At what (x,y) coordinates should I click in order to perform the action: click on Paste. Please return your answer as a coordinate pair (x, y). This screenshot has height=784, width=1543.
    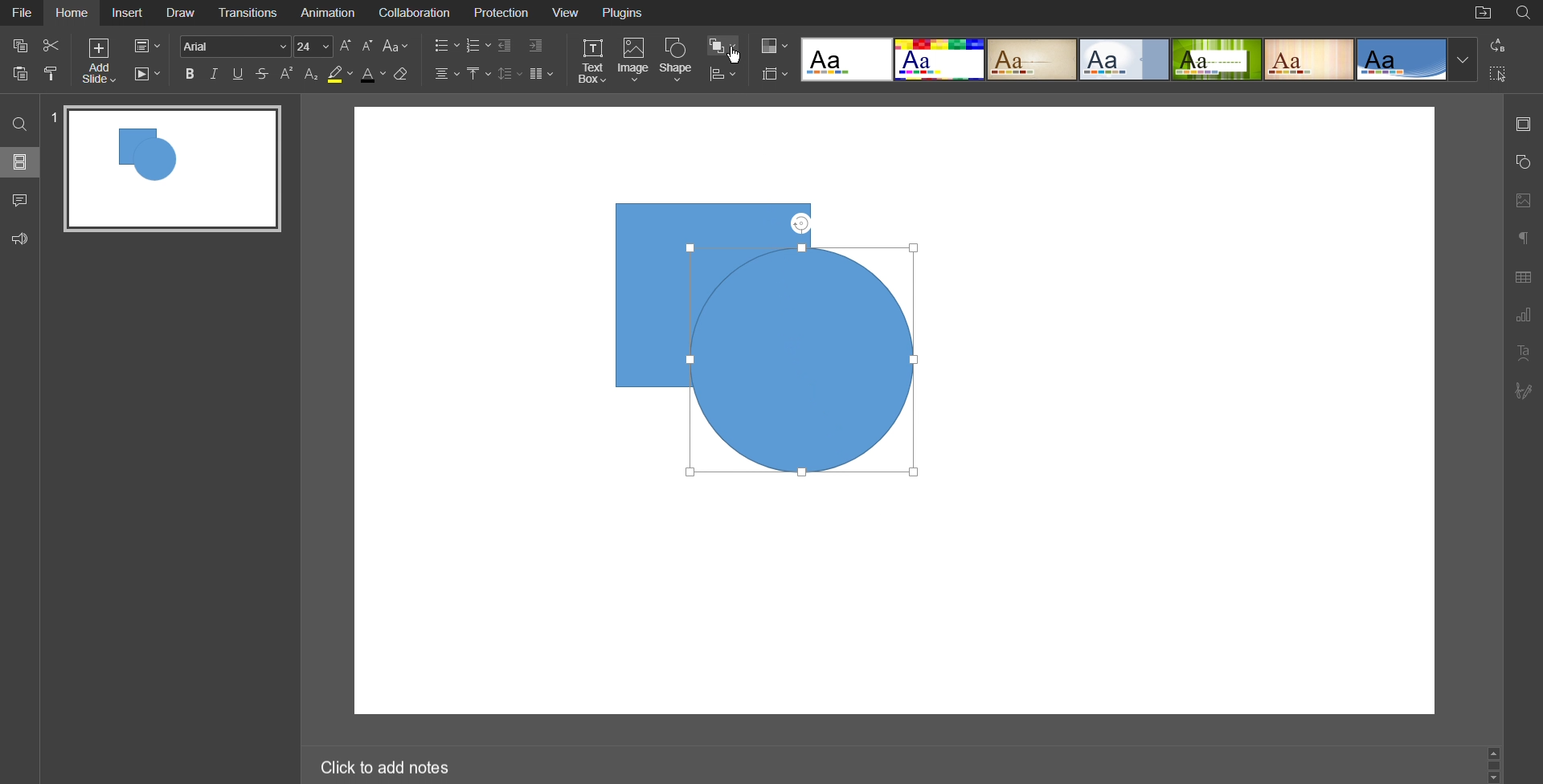
    Looking at the image, I should click on (18, 76).